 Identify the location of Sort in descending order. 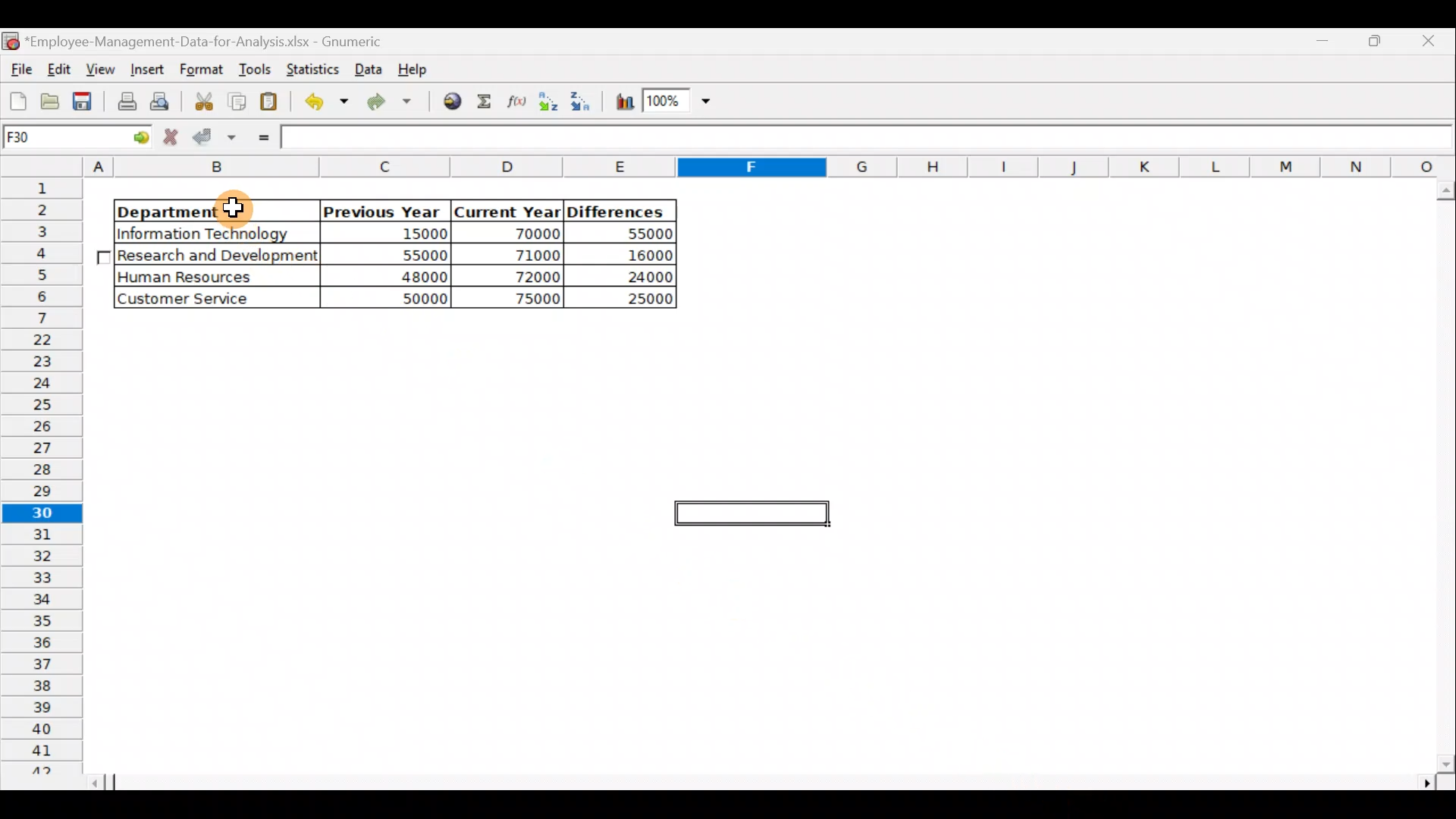
(582, 102).